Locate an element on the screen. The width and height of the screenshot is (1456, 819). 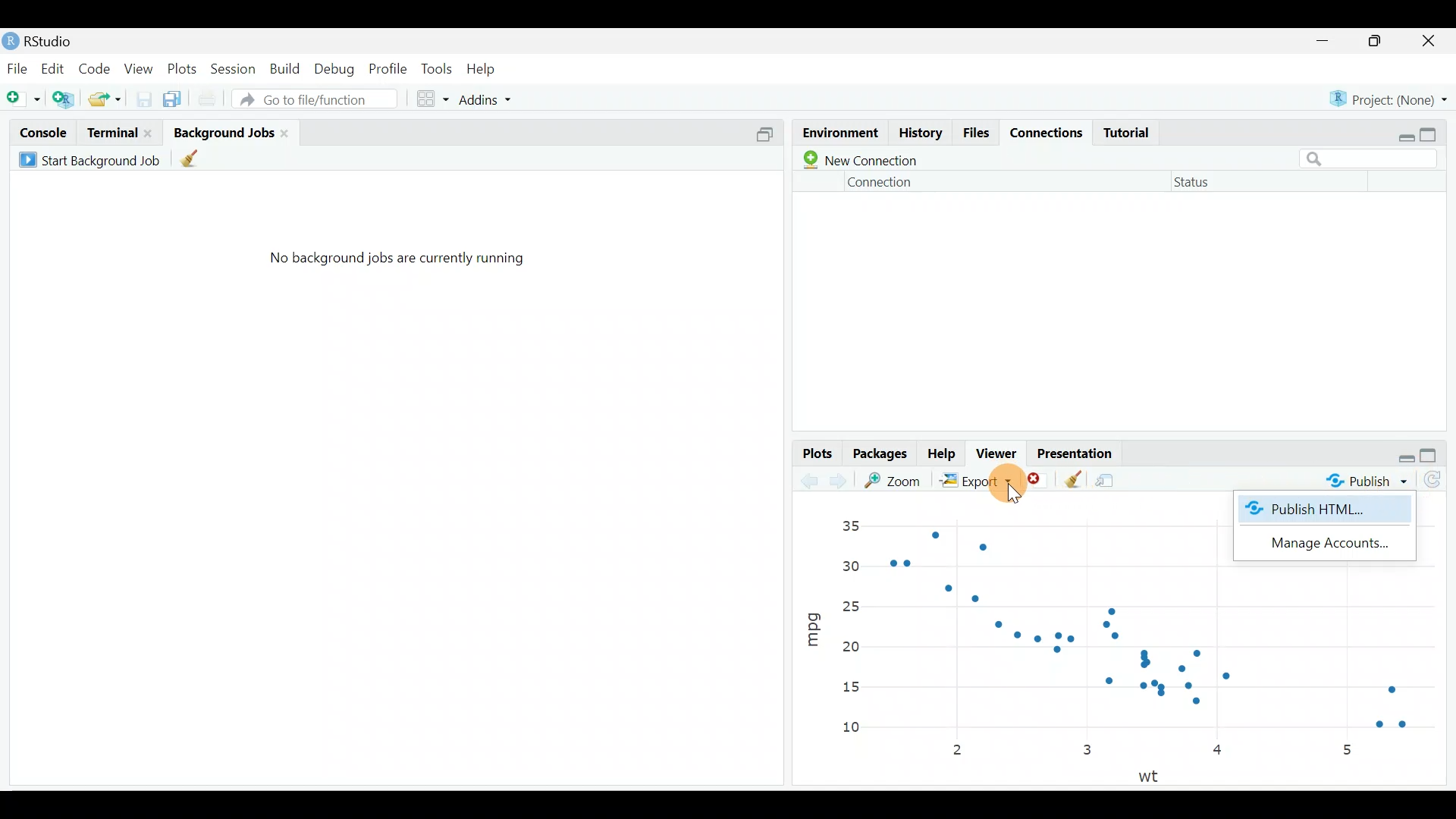
Maximize is located at coordinates (1437, 455).